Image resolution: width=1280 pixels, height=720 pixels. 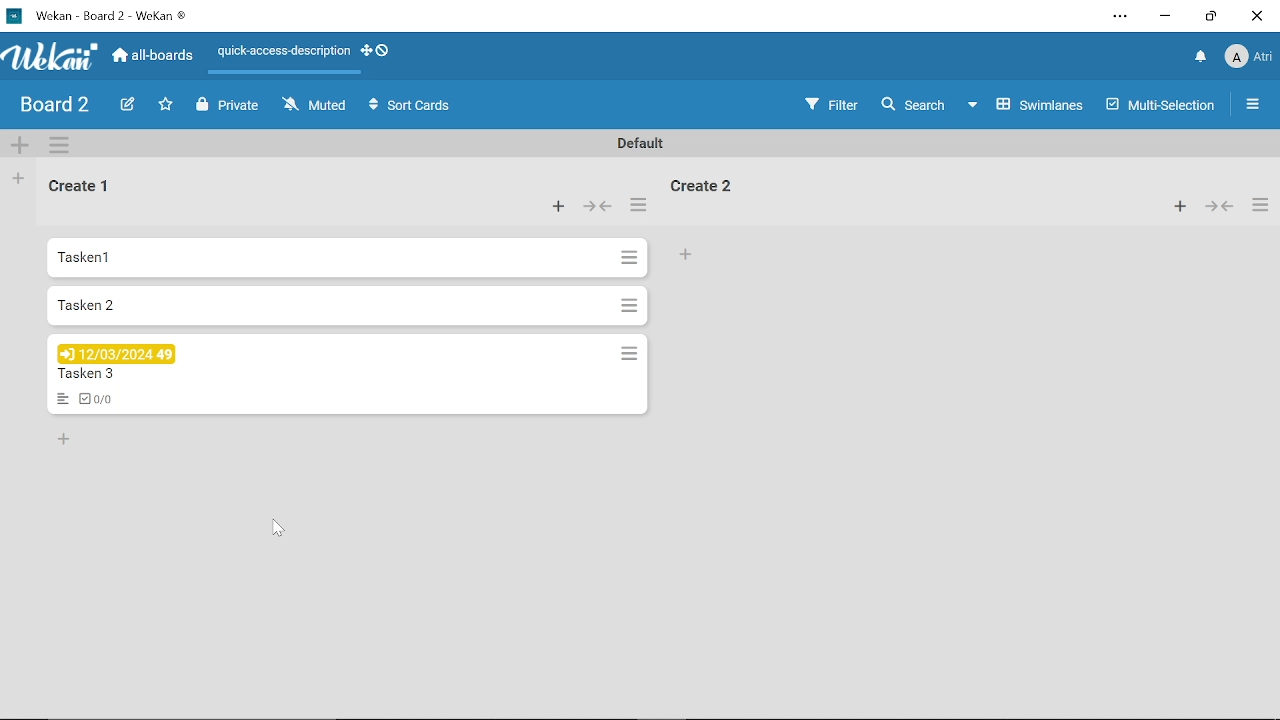 What do you see at coordinates (1180, 205) in the screenshot?
I see `Add` at bounding box center [1180, 205].